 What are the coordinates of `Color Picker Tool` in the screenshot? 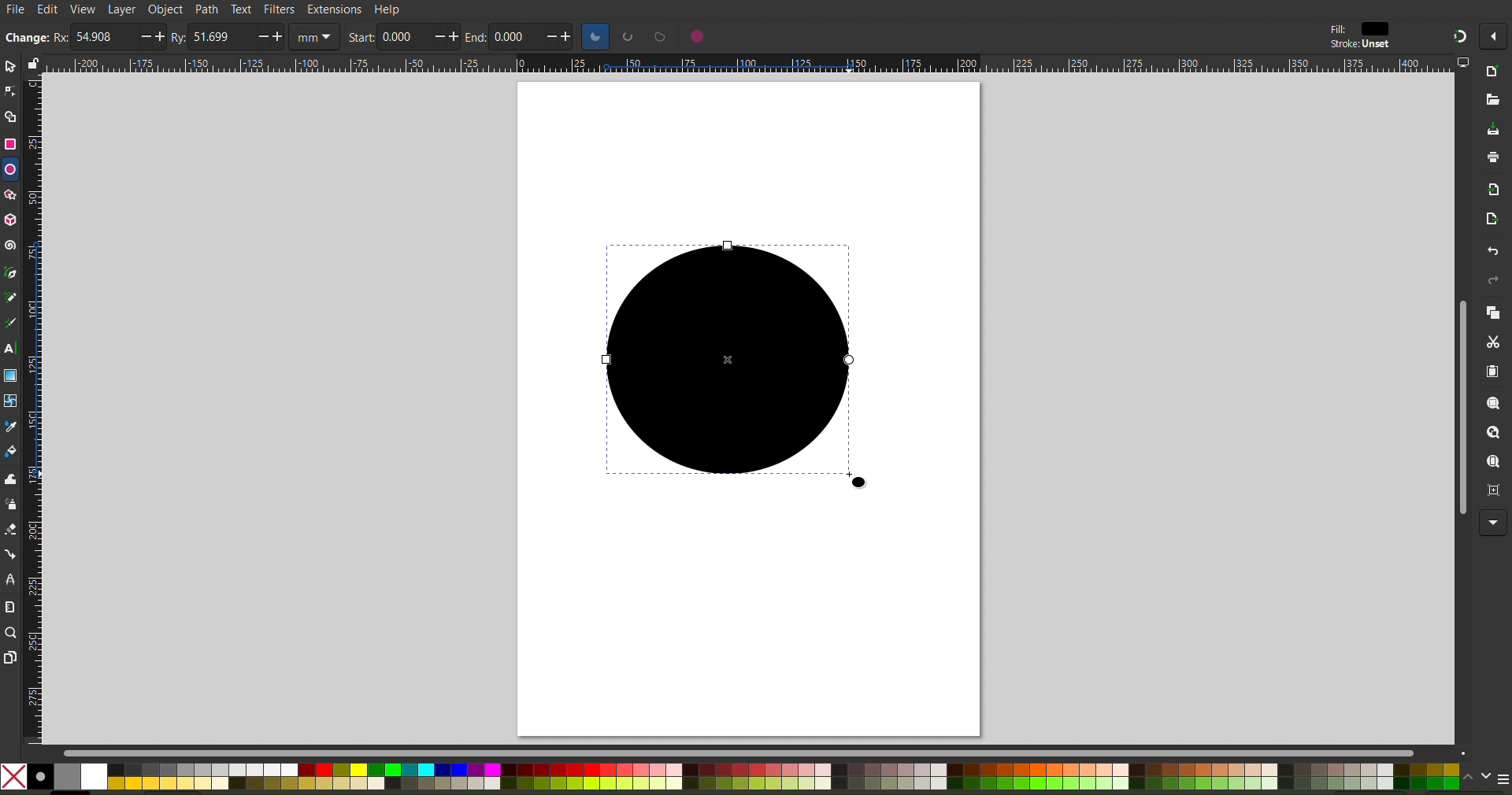 It's located at (11, 427).